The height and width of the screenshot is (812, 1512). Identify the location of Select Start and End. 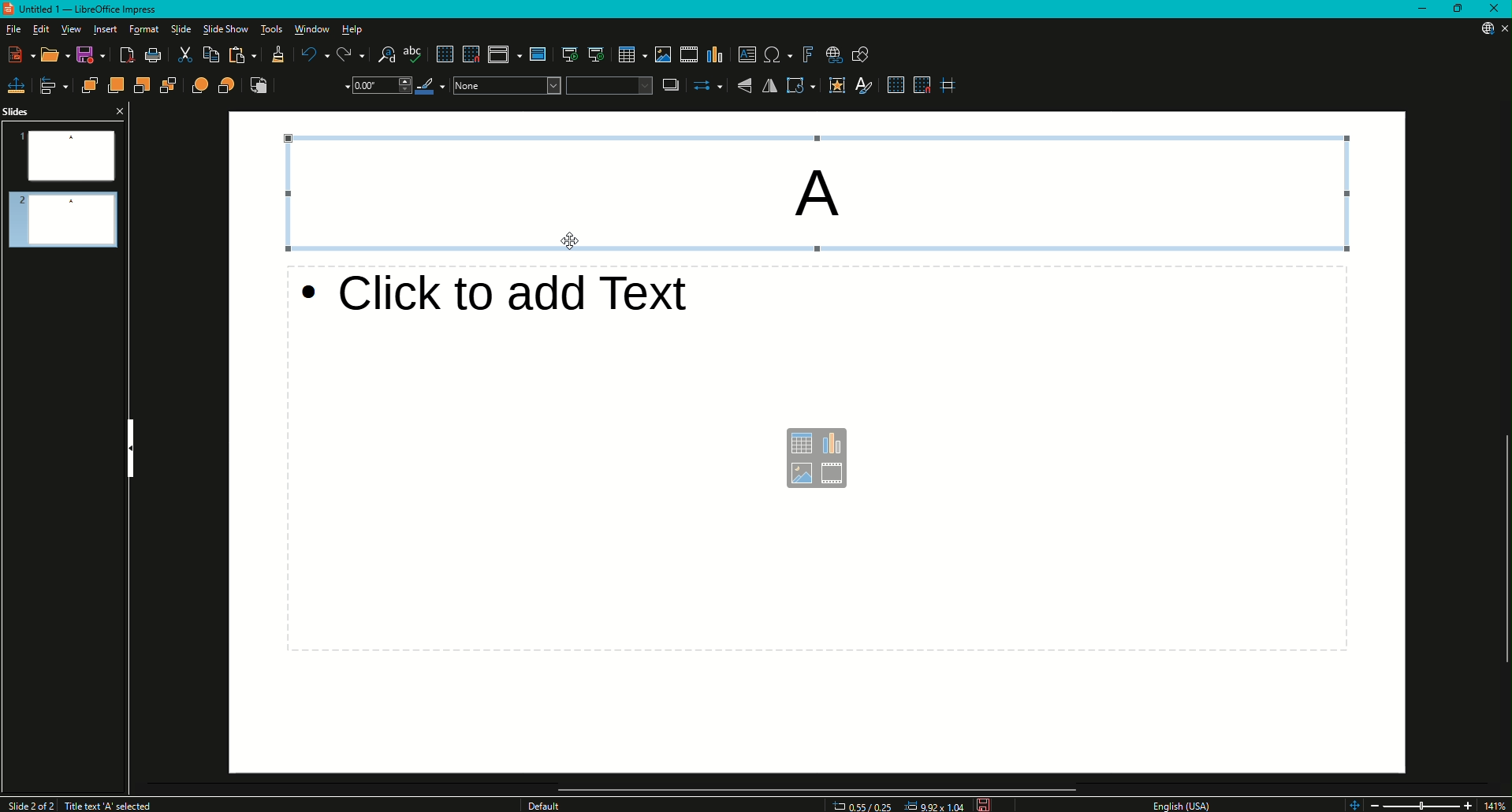
(708, 88).